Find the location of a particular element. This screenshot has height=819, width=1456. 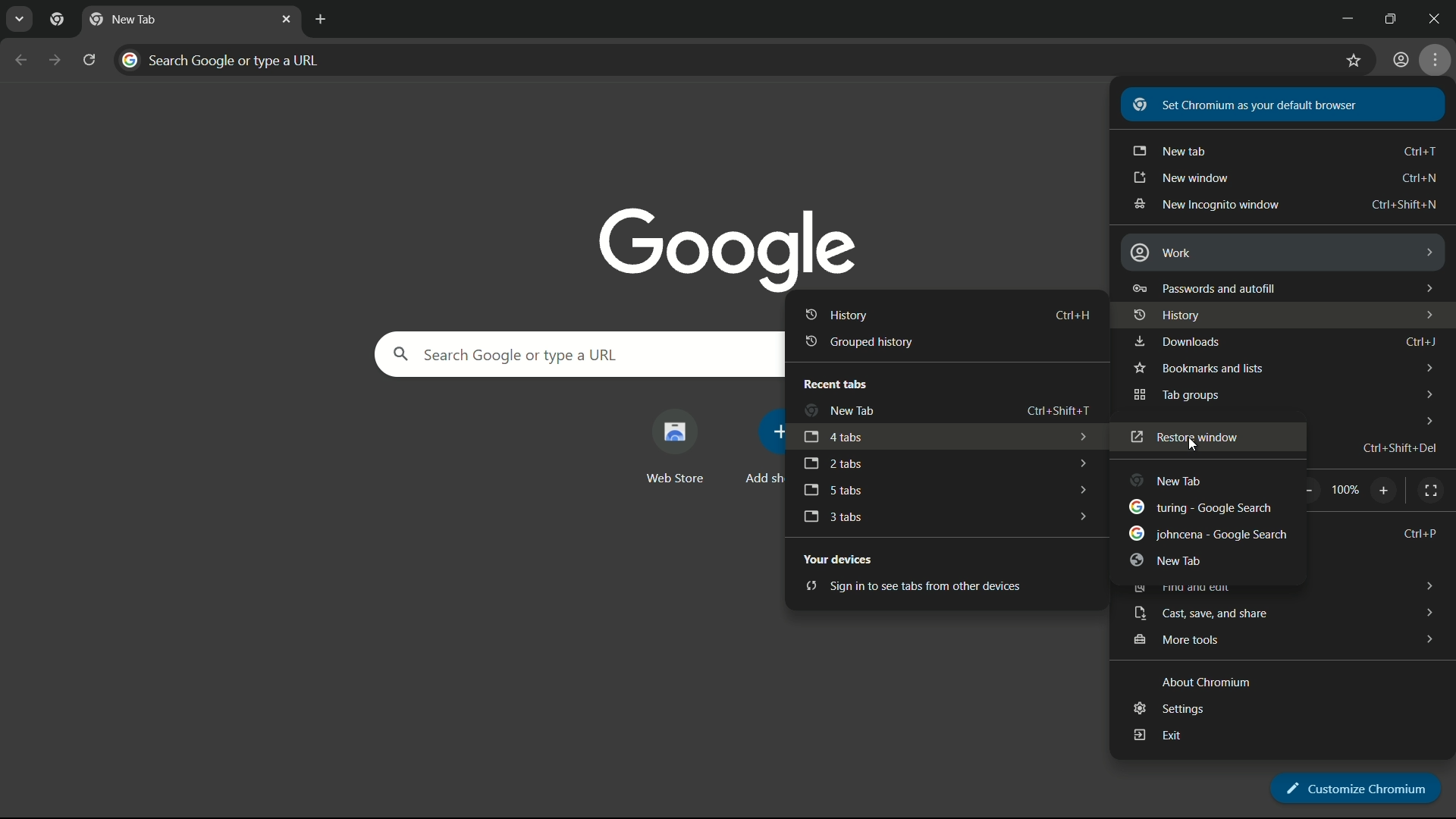

more tools is located at coordinates (1180, 640).